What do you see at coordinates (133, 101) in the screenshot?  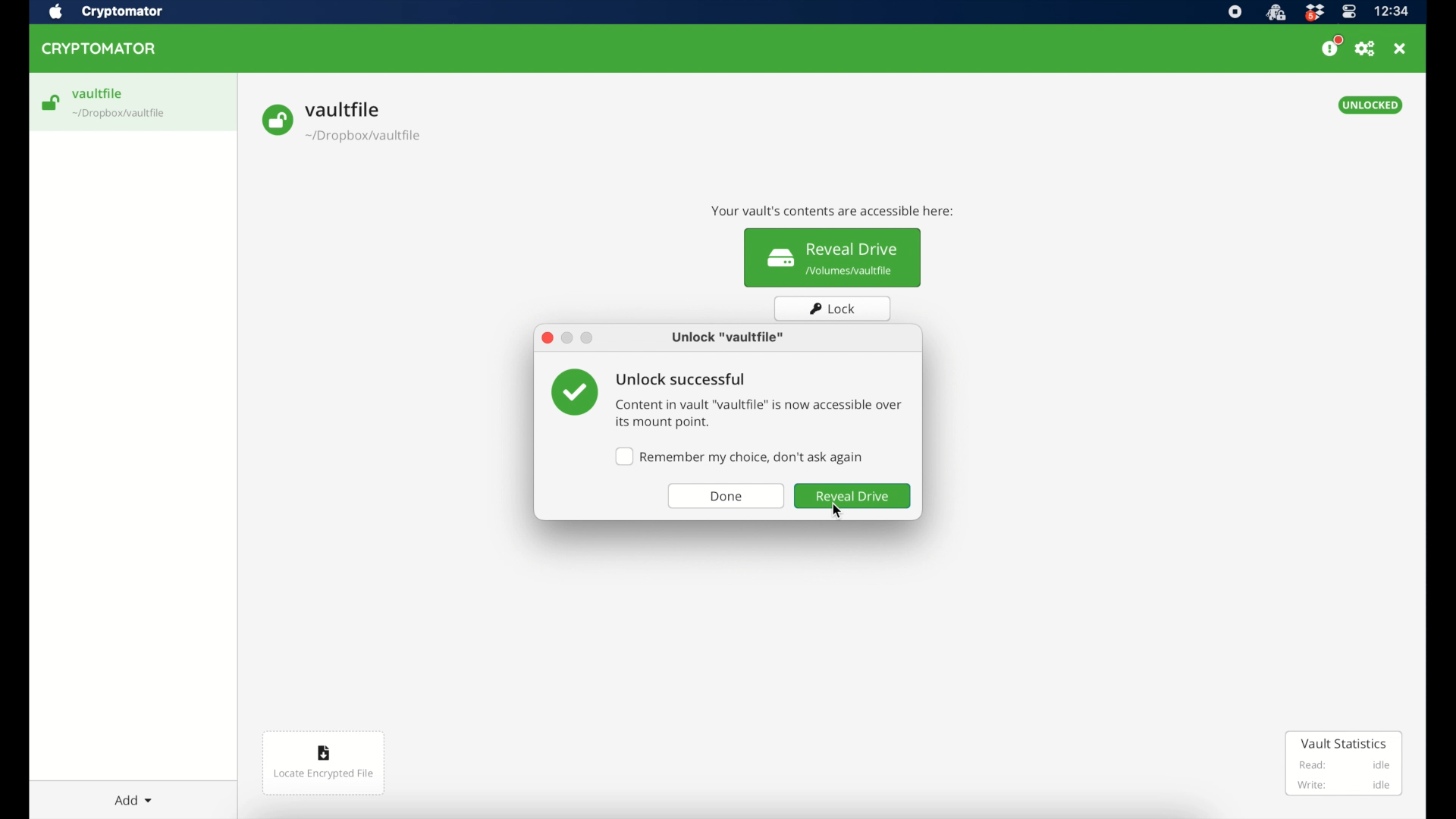 I see `vaultfile` at bounding box center [133, 101].